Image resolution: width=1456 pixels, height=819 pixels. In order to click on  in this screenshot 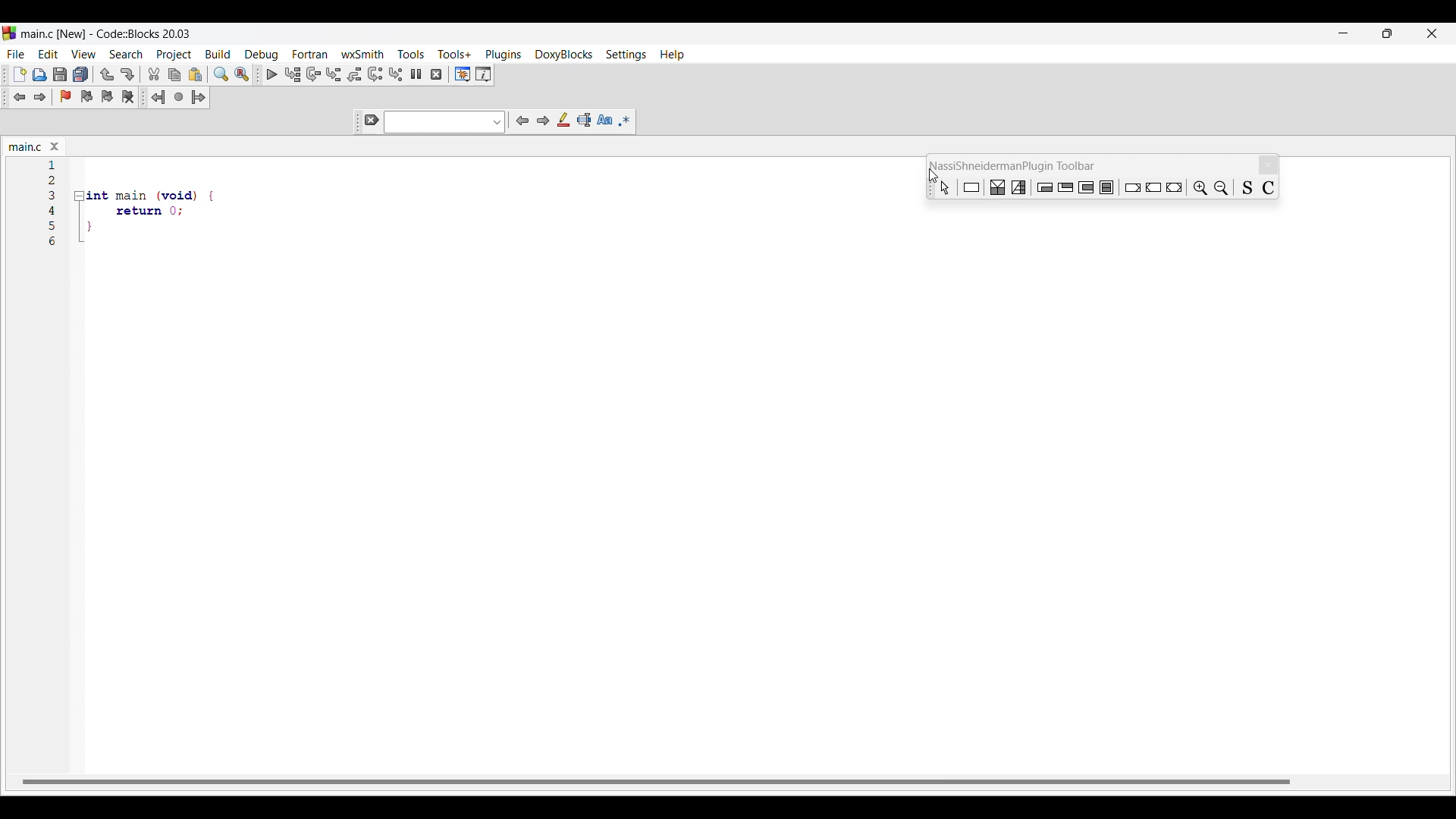, I will do `click(55, 243)`.